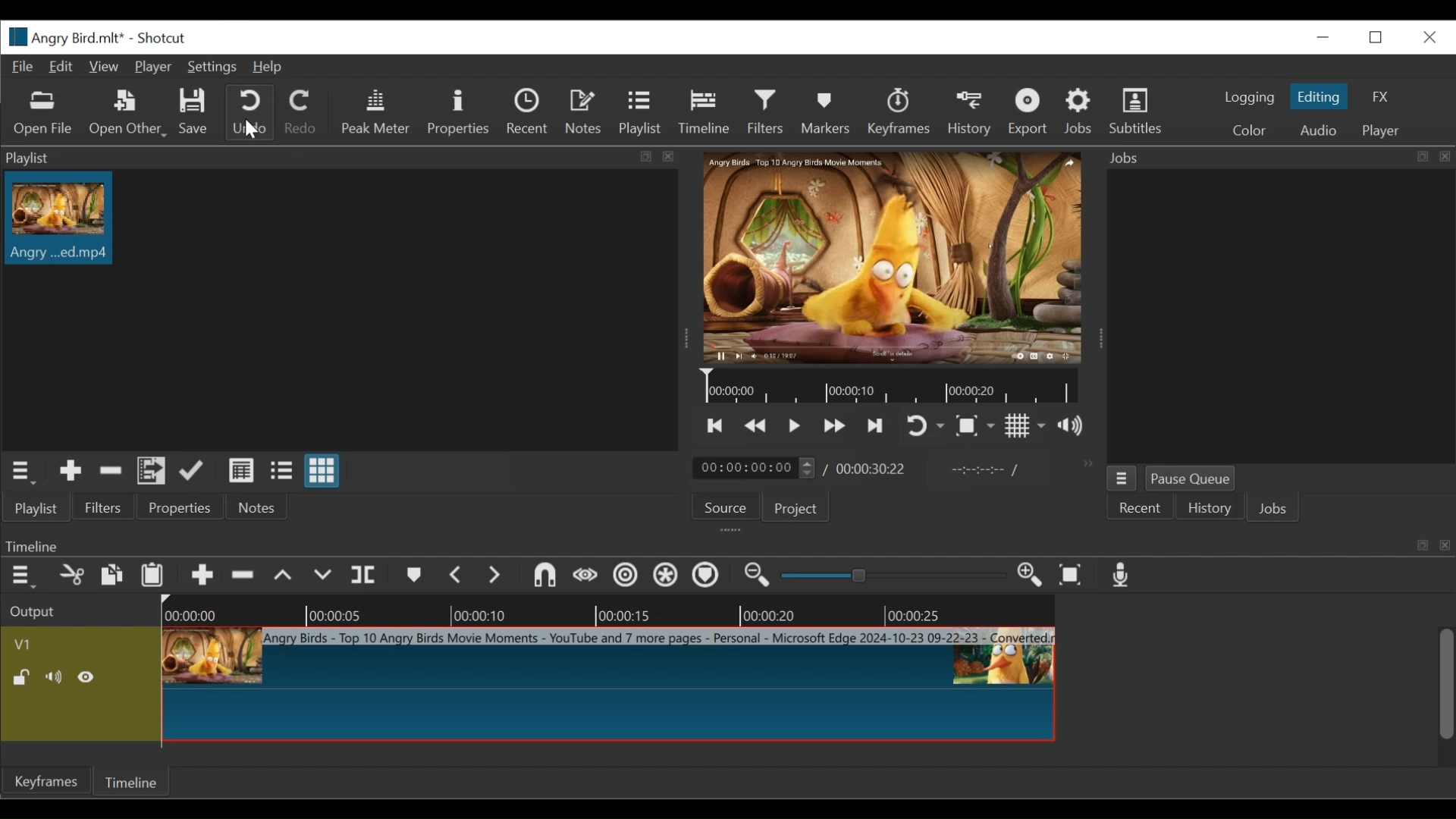  Describe the element at coordinates (22, 67) in the screenshot. I see `File` at that location.